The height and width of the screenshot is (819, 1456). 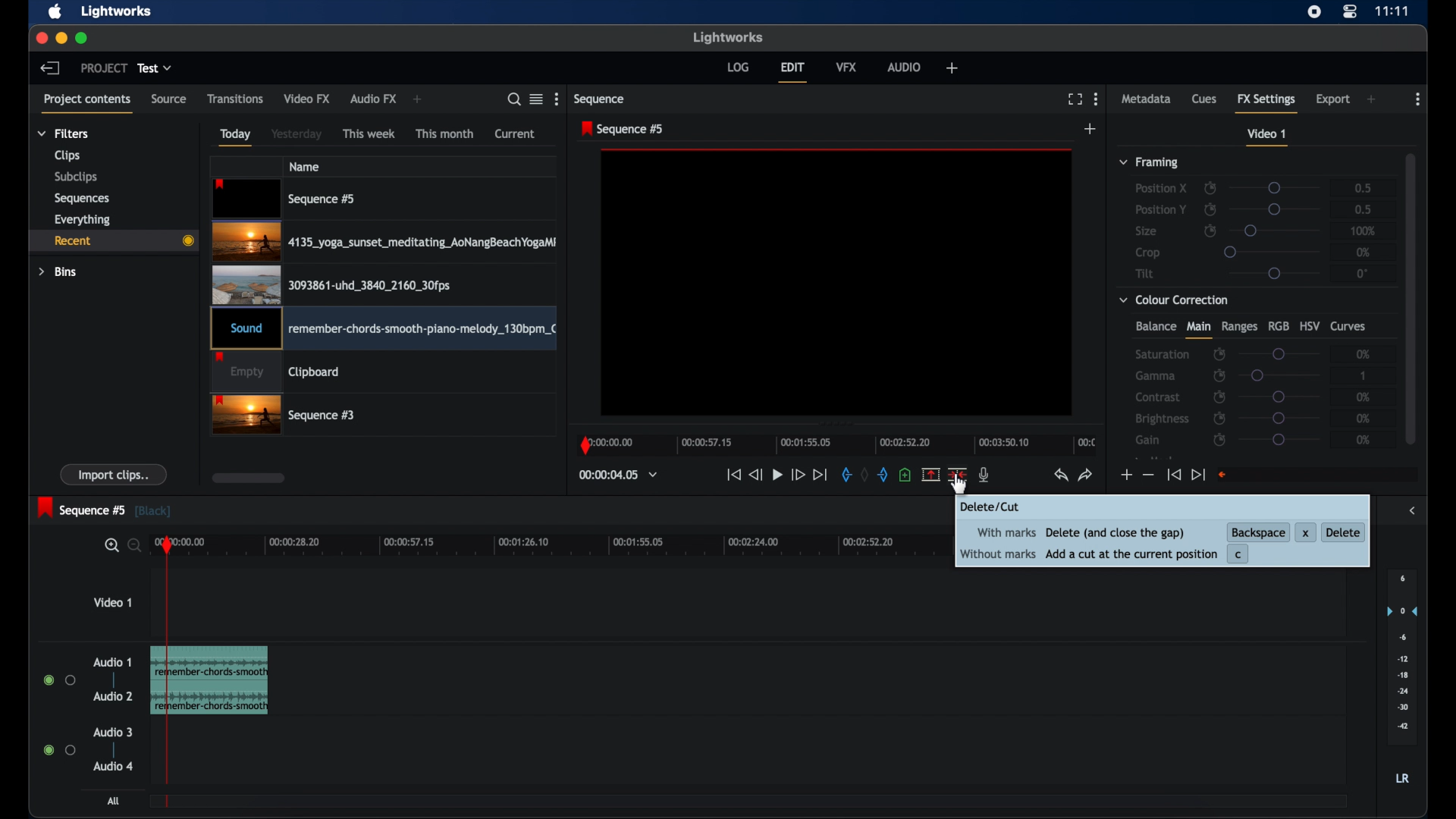 I want to click on c, so click(x=1241, y=554).